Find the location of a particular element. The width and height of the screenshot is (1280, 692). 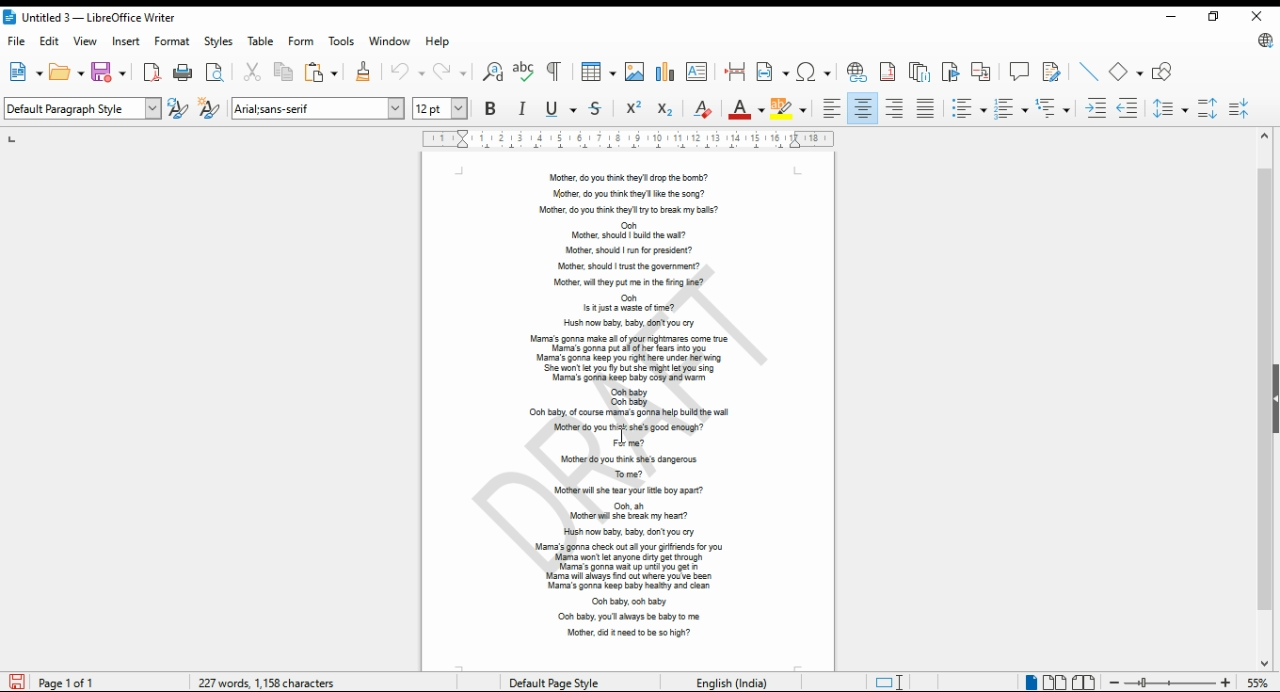

Language is located at coordinates (726, 682).